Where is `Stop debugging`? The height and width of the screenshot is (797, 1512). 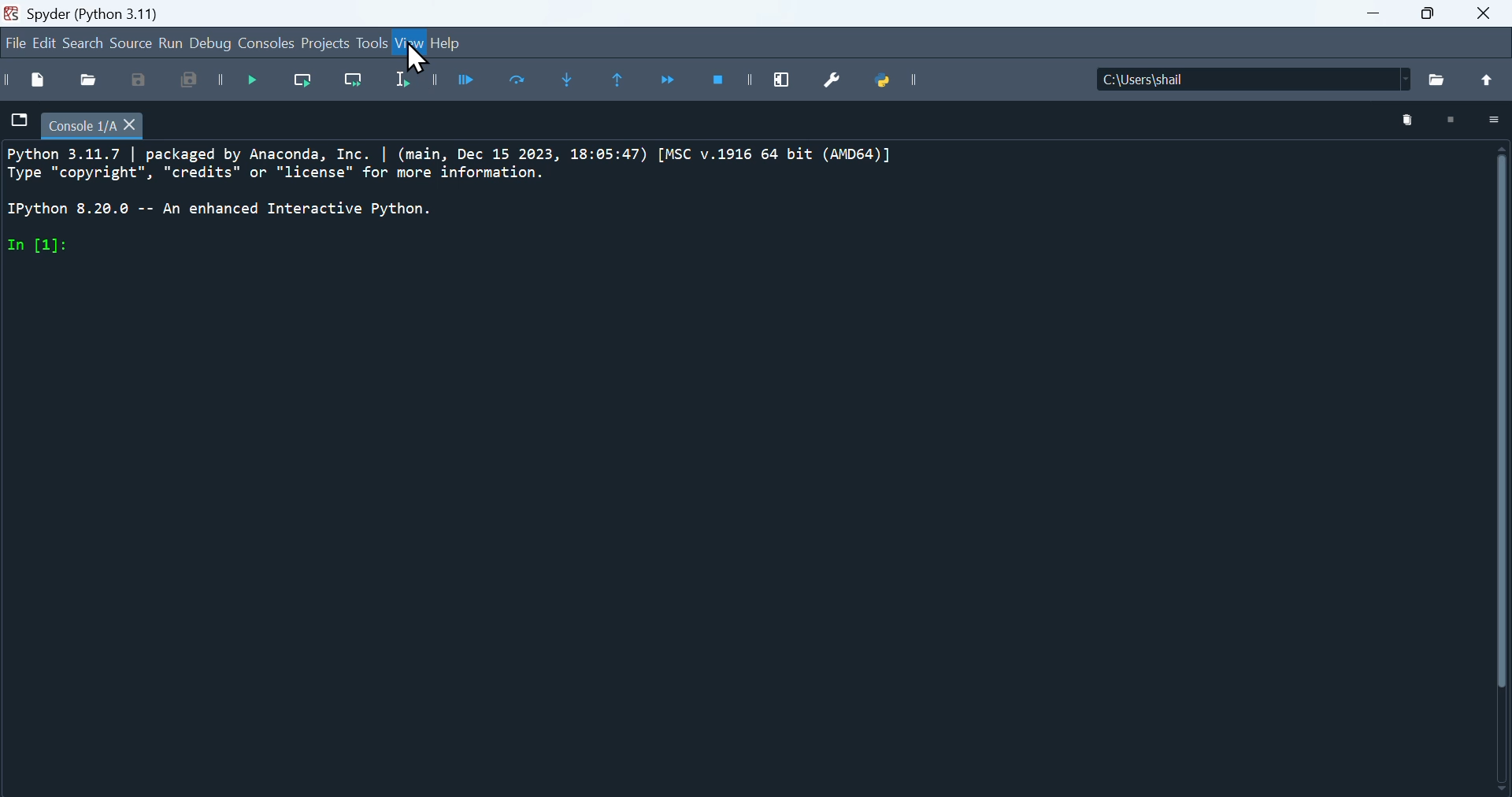 Stop debugging is located at coordinates (728, 83).